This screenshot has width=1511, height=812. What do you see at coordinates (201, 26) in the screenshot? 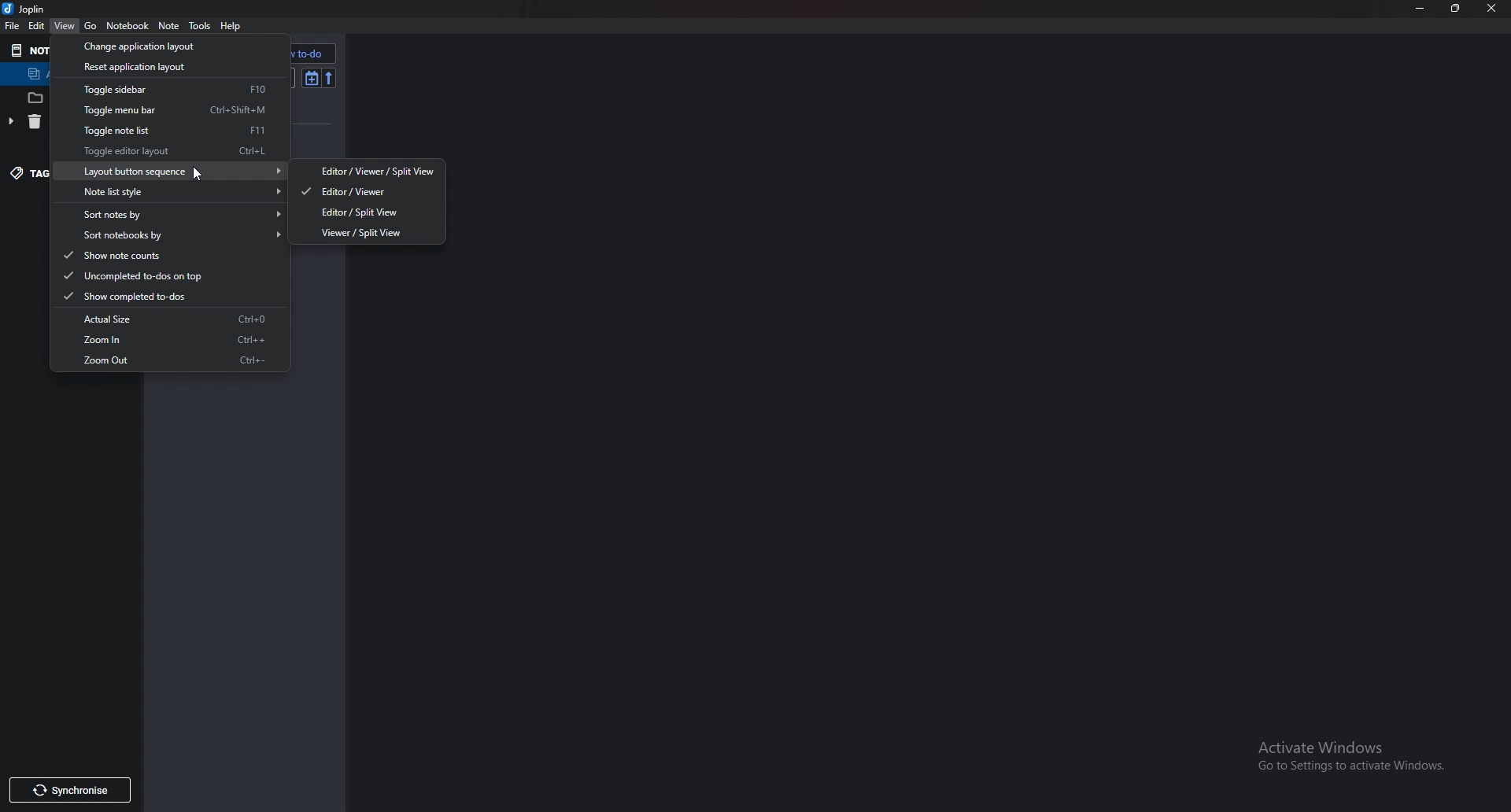
I see `tools` at bounding box center [201, 26].